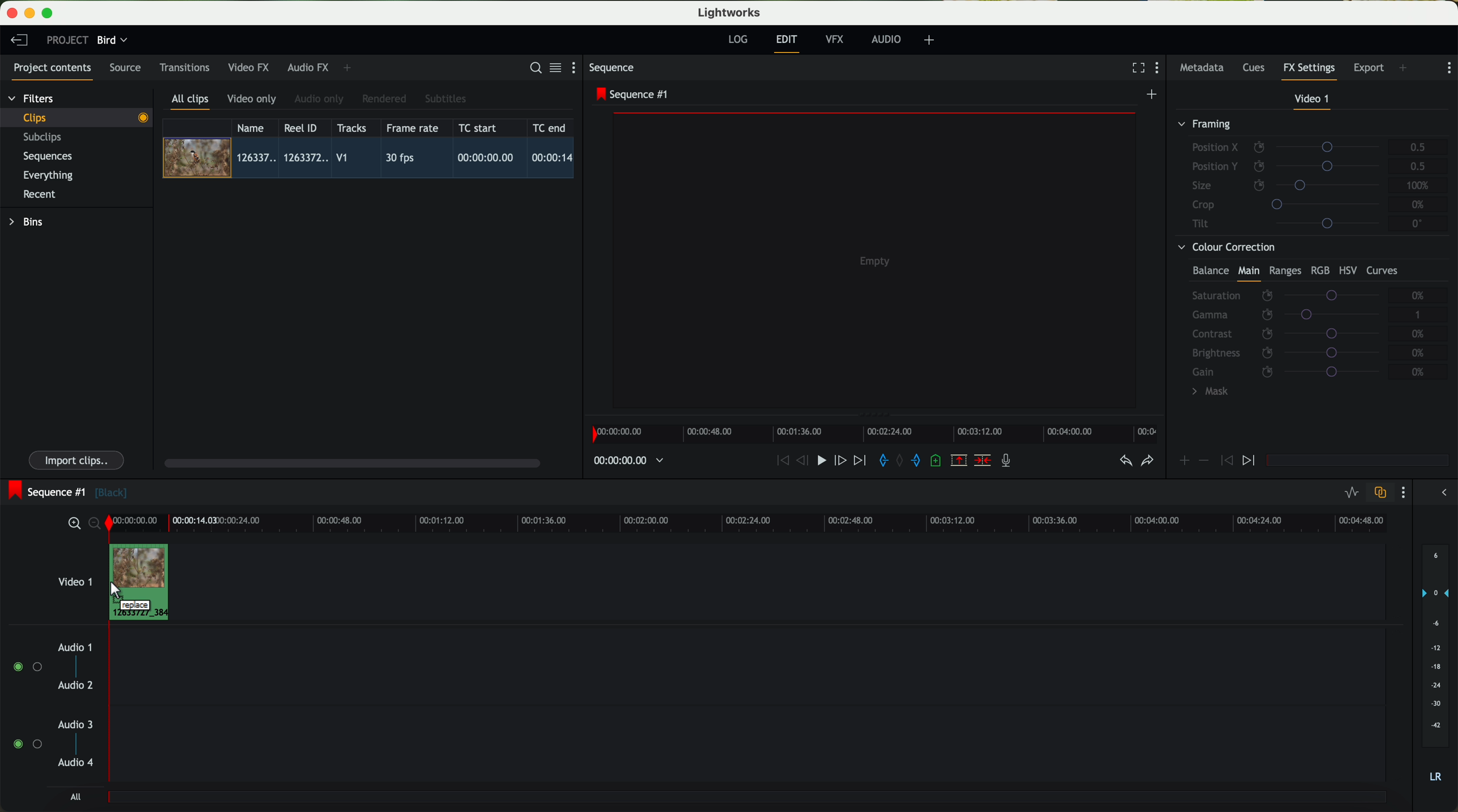 The image size is (1458, 812). I want to click on source, so click(125, 68).